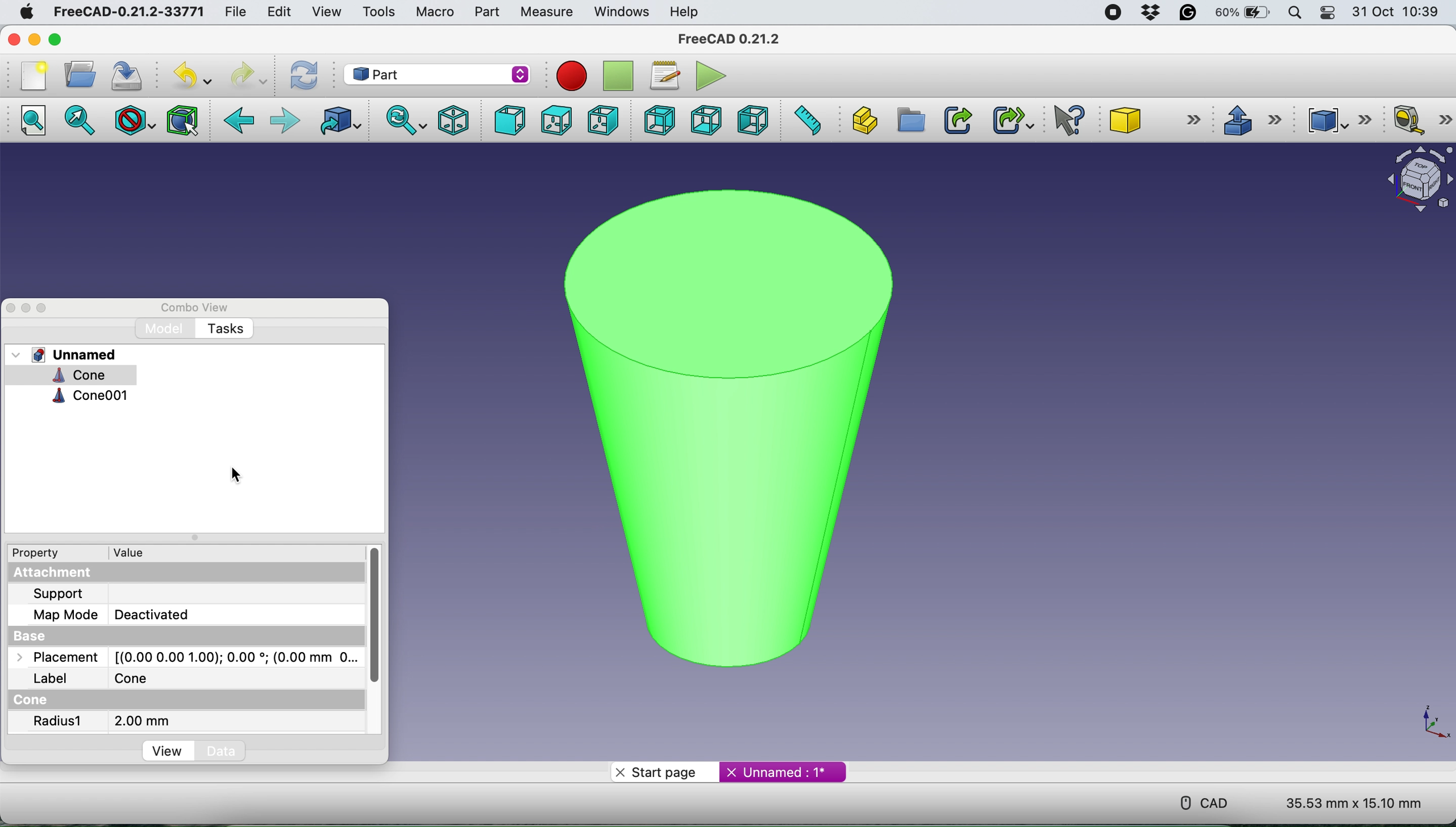 This screenshot has height=827, width=1456. What do you see at coordinates (568, 76) in the screenshot?
I see `stop macros` at bounding box center [568, 76].